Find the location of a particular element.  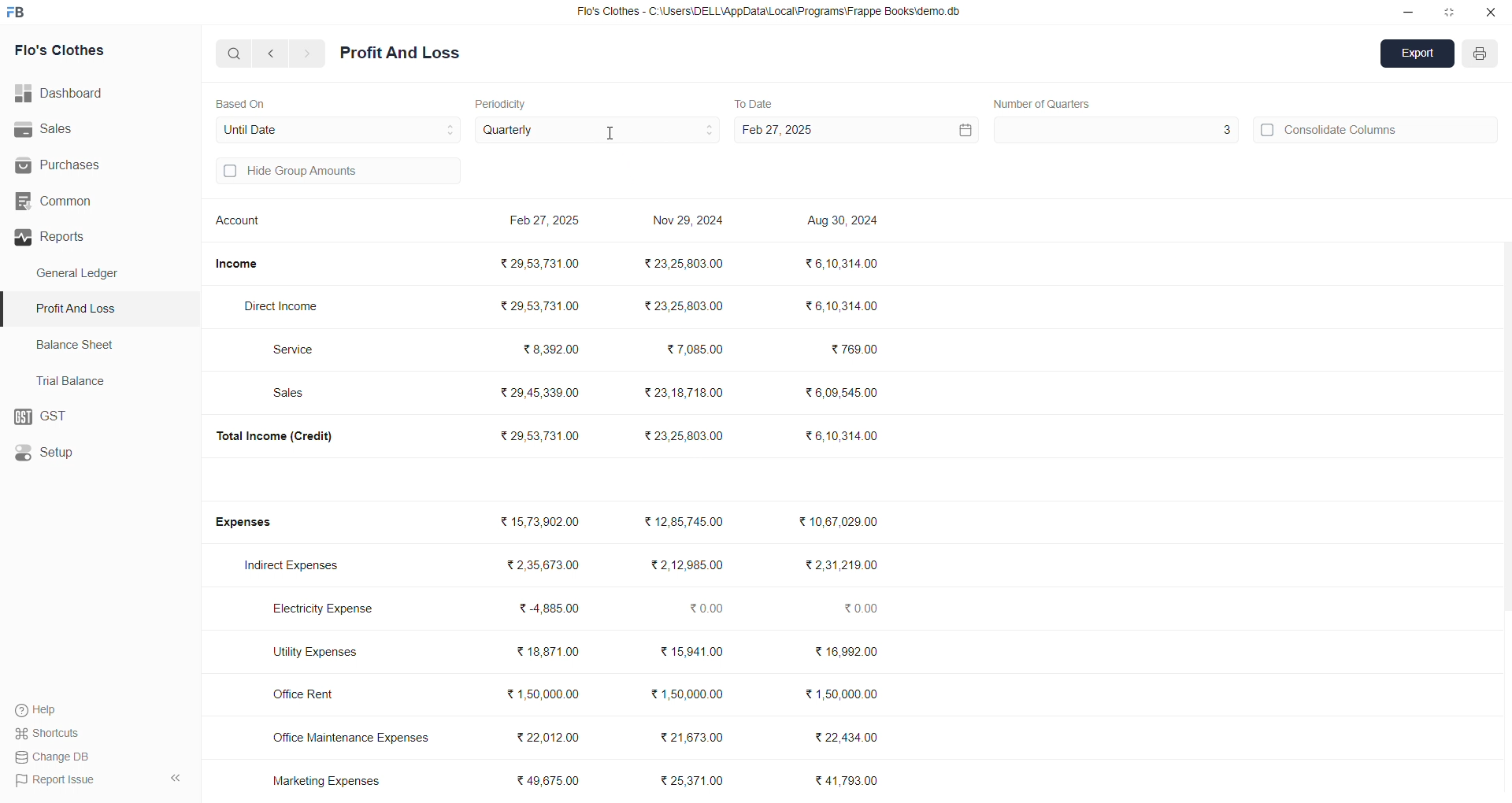

₹150,000.00 is located at coordinates (686, 695).